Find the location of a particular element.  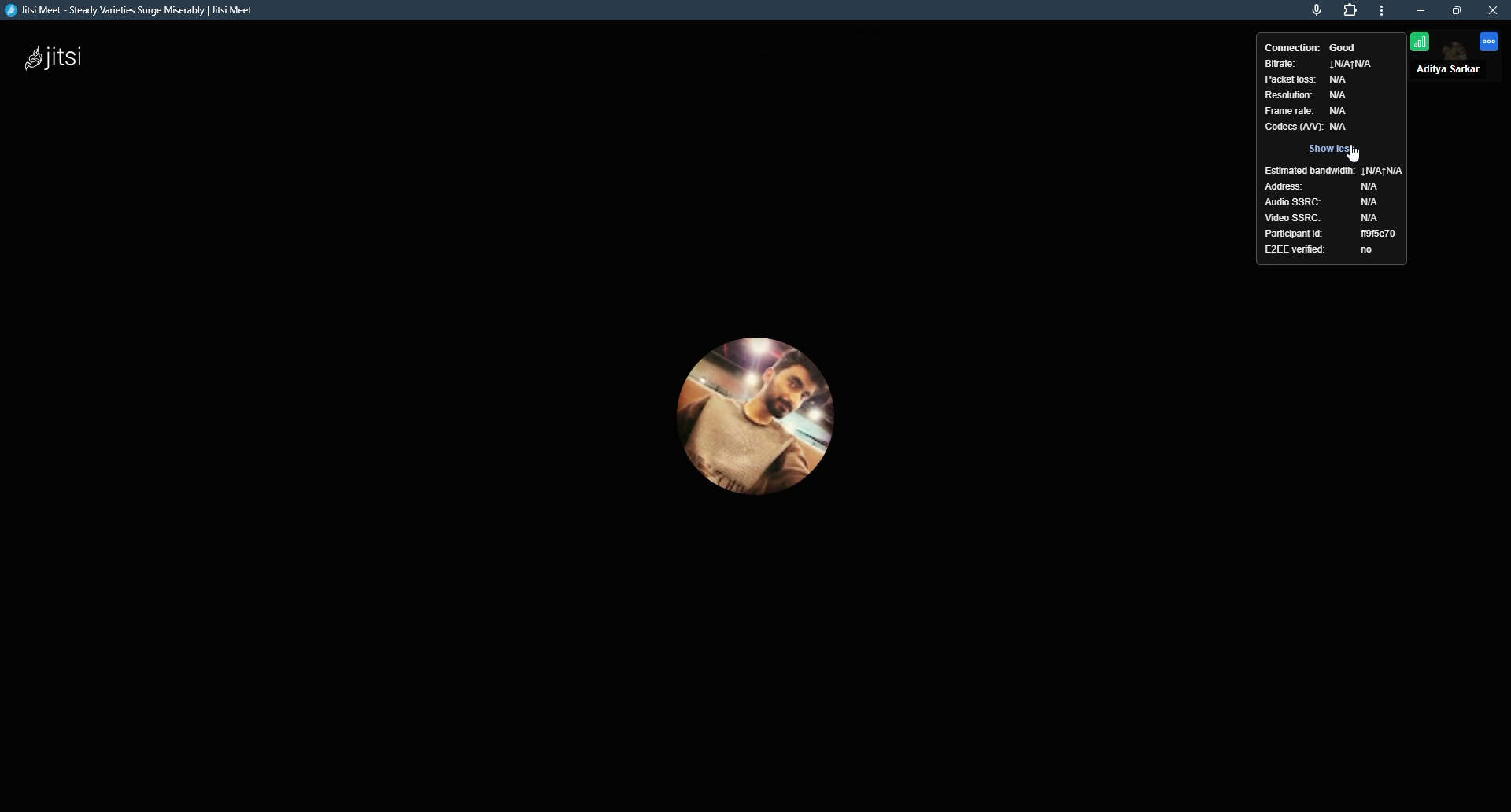

jitsi is located at coordinates (140, 13).